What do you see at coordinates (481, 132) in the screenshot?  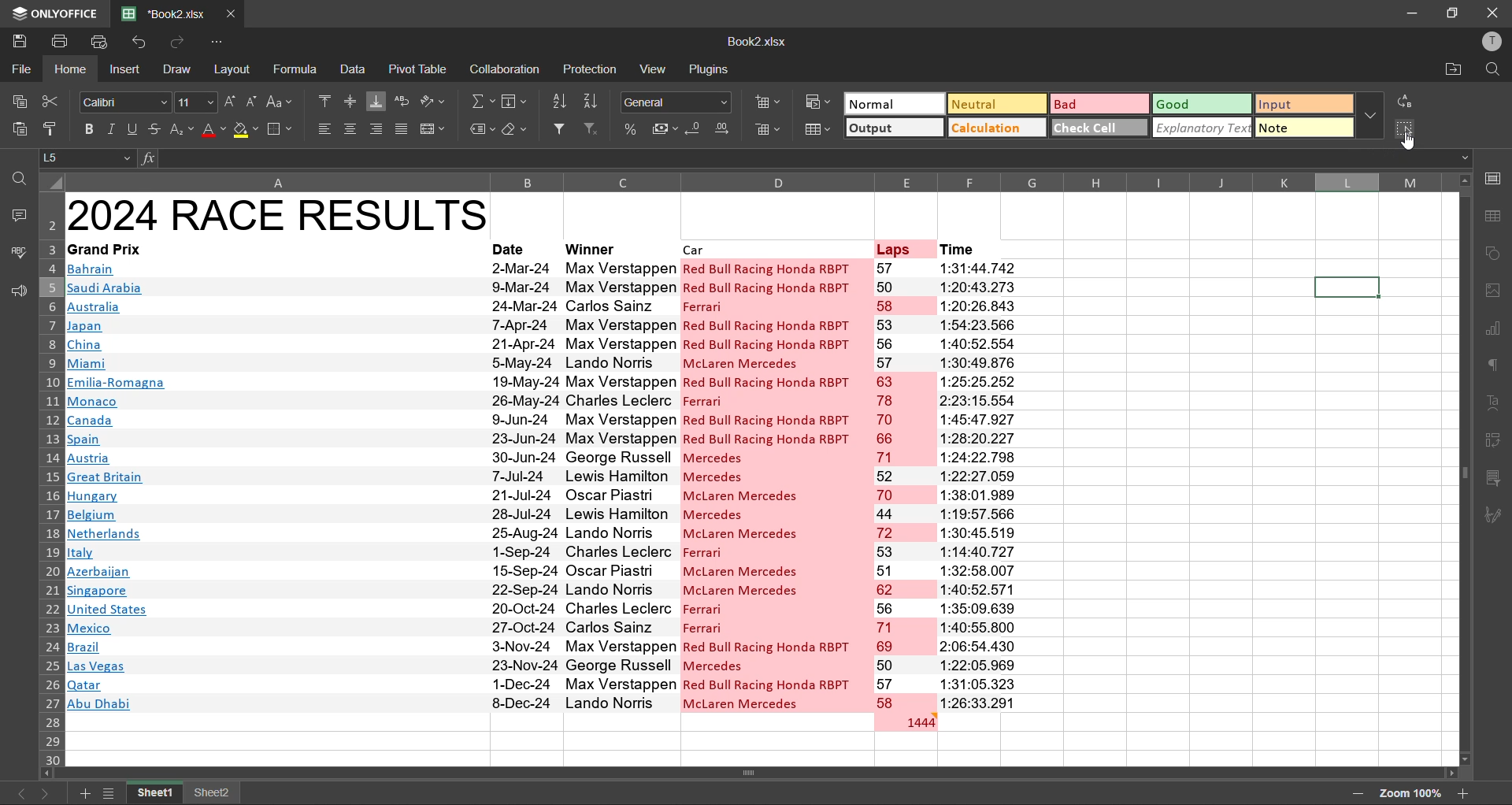 I see `named ranges` at bounding box center [481, 132].